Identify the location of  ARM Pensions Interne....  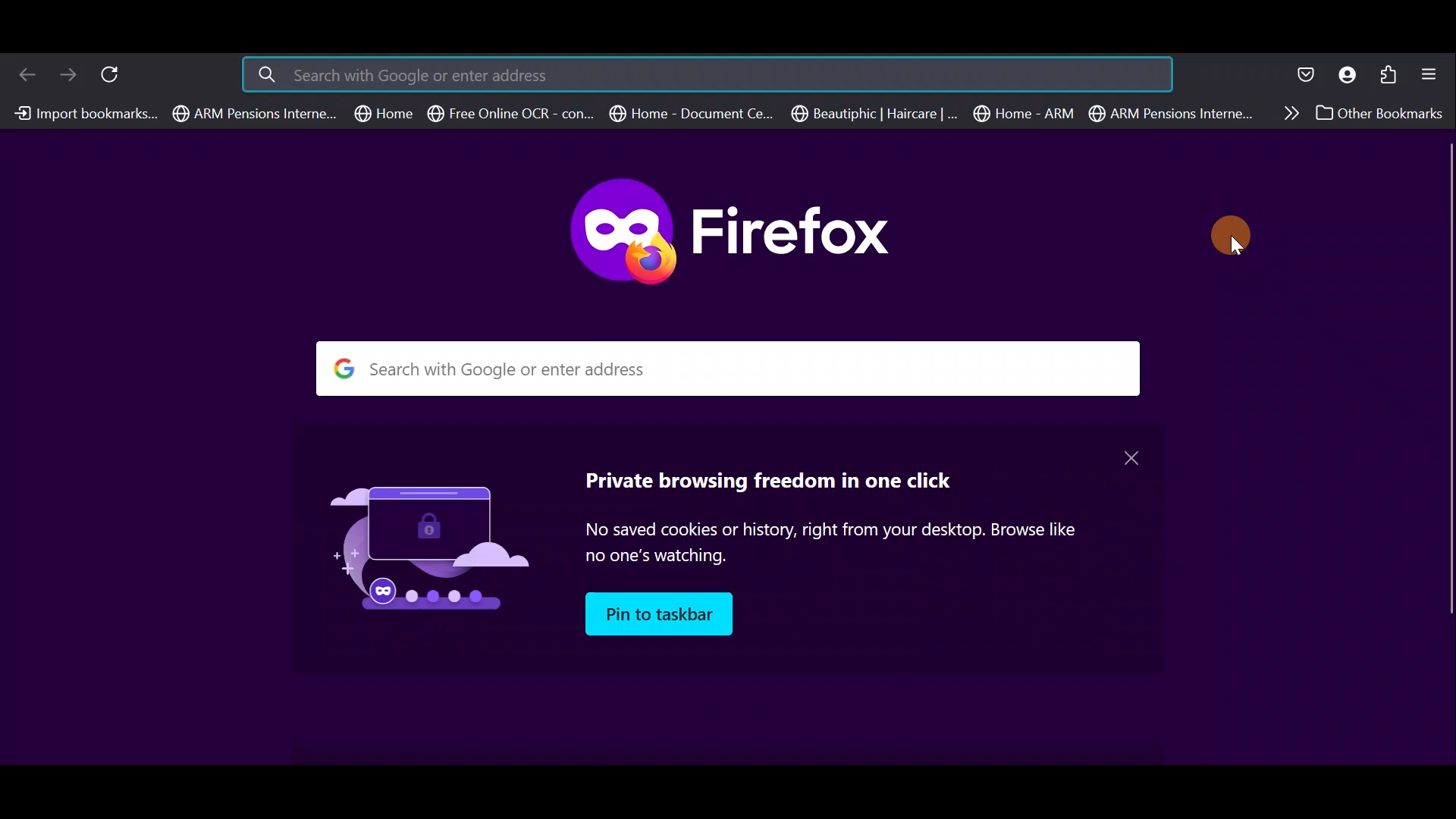
(255, 114).